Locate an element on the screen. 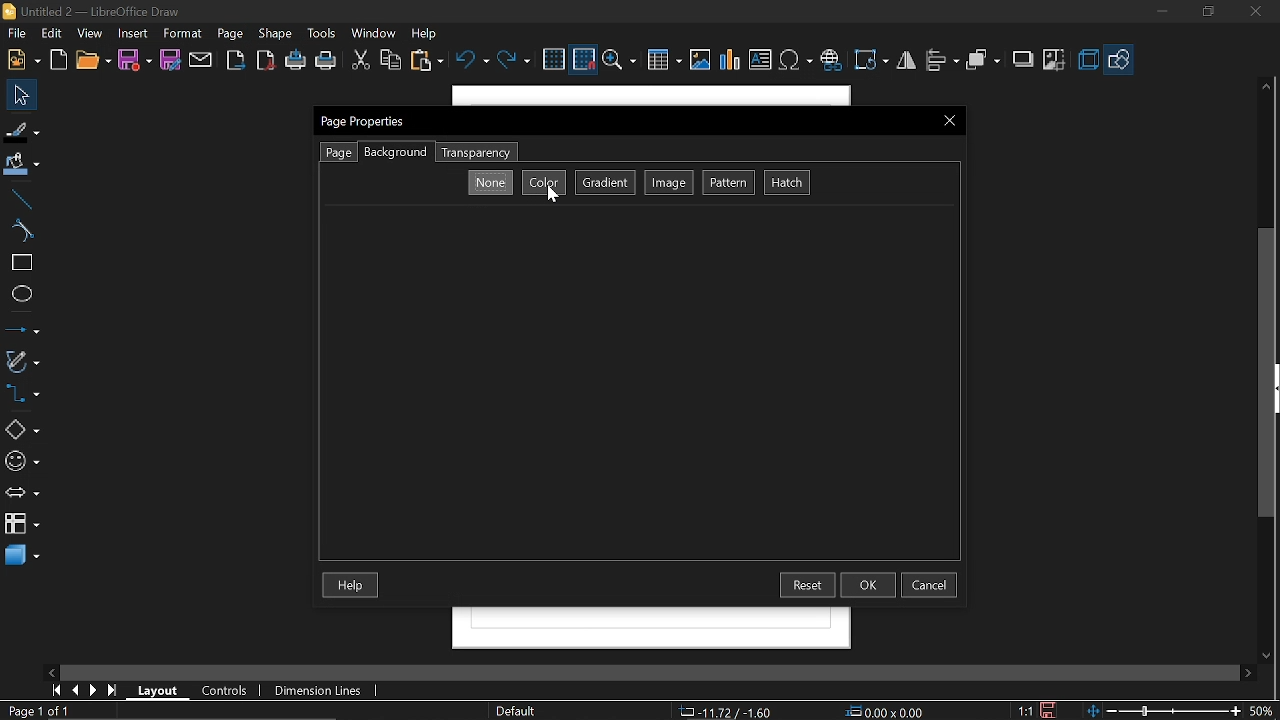 This screenshot has width=1280, height=720. Insert Image is located at coordinates (701, 61).